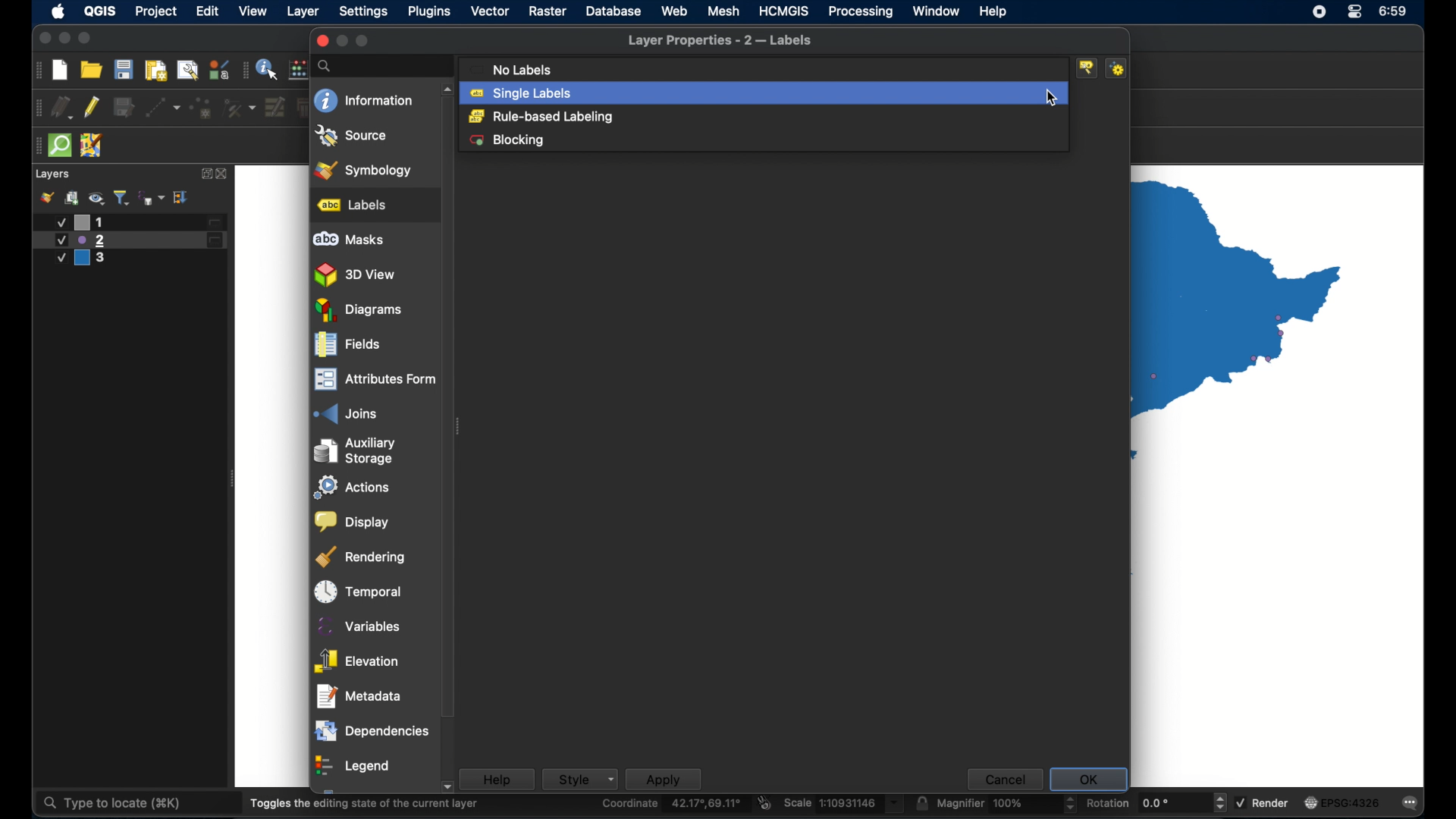  What do you see at coordinates (1088, 777) in the screenshot?
I see `ok` at bounding box center [1088, 777].